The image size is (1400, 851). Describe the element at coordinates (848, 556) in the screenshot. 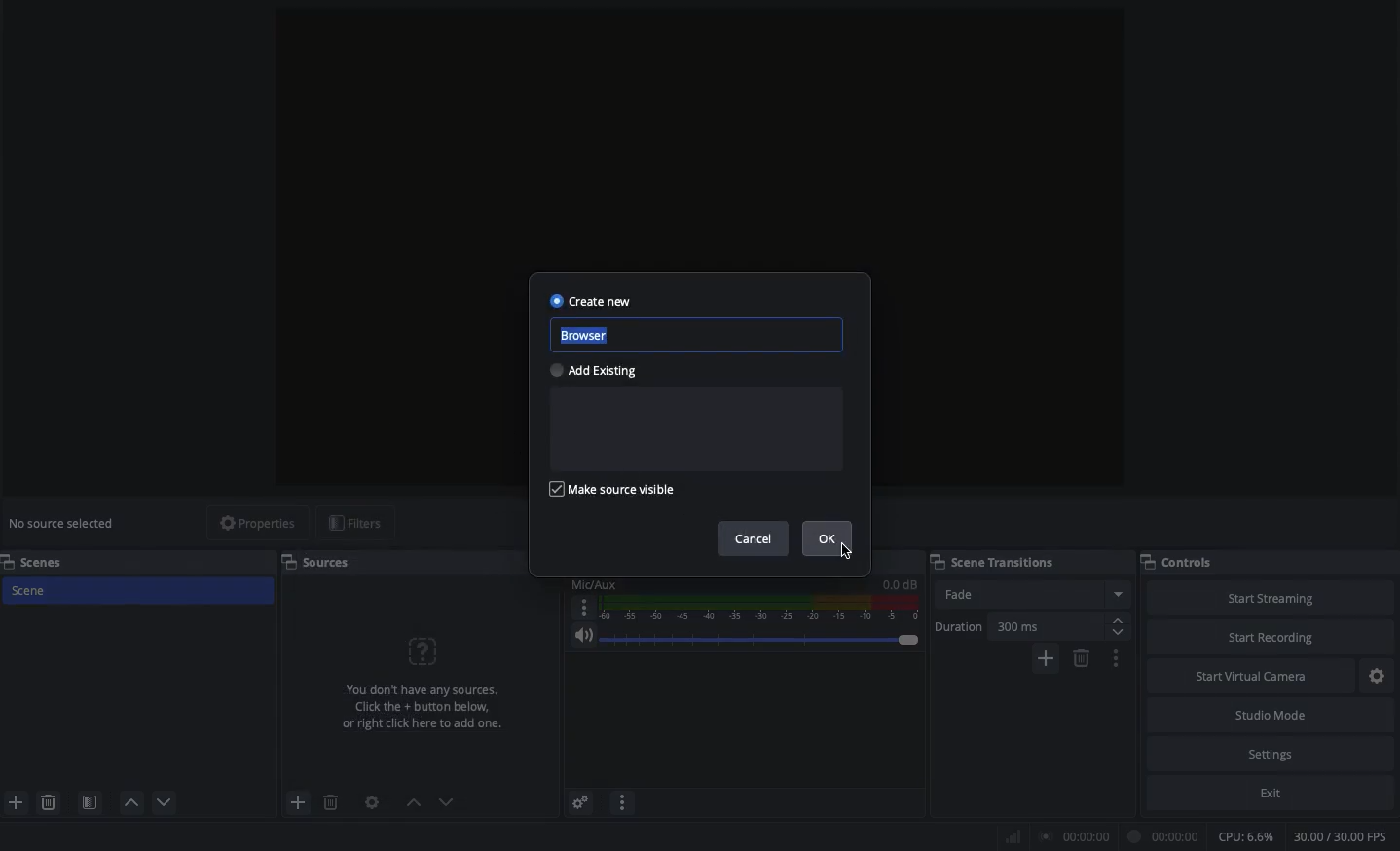

I see `cursor` at that location.